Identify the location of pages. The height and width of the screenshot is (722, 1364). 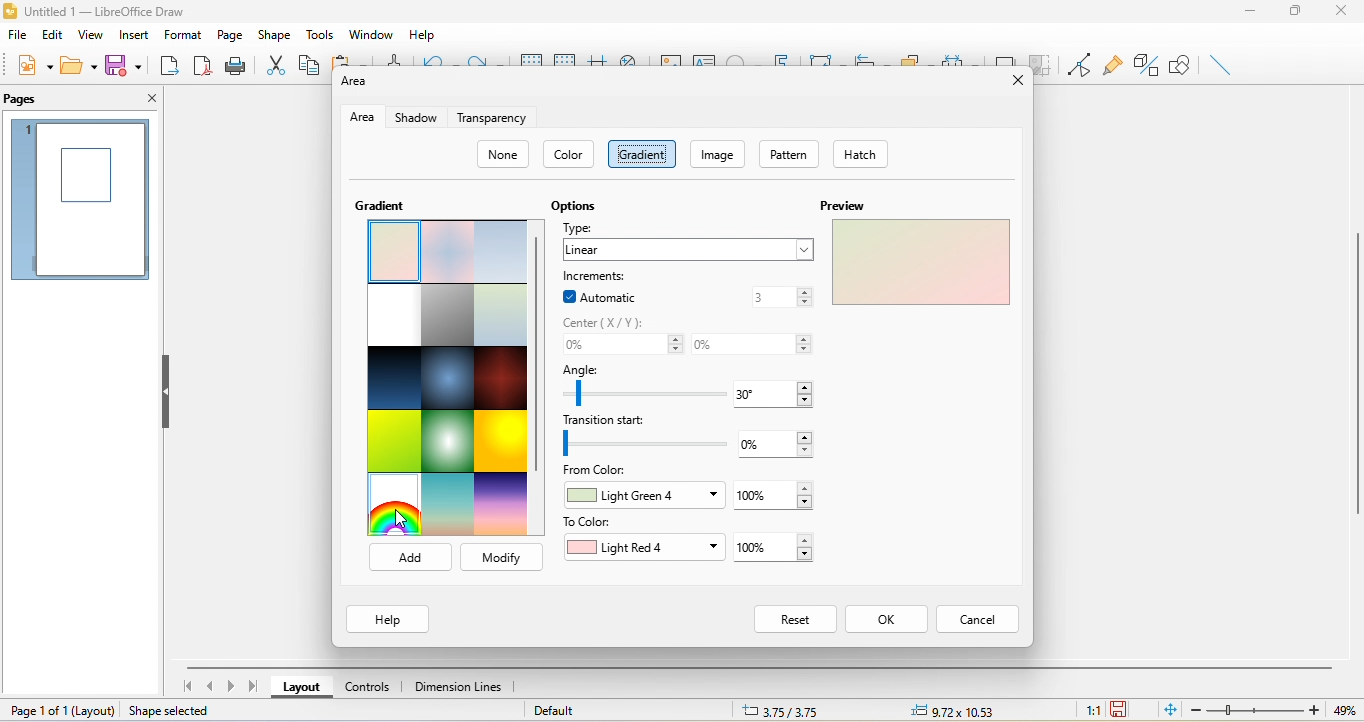
(25, 101).